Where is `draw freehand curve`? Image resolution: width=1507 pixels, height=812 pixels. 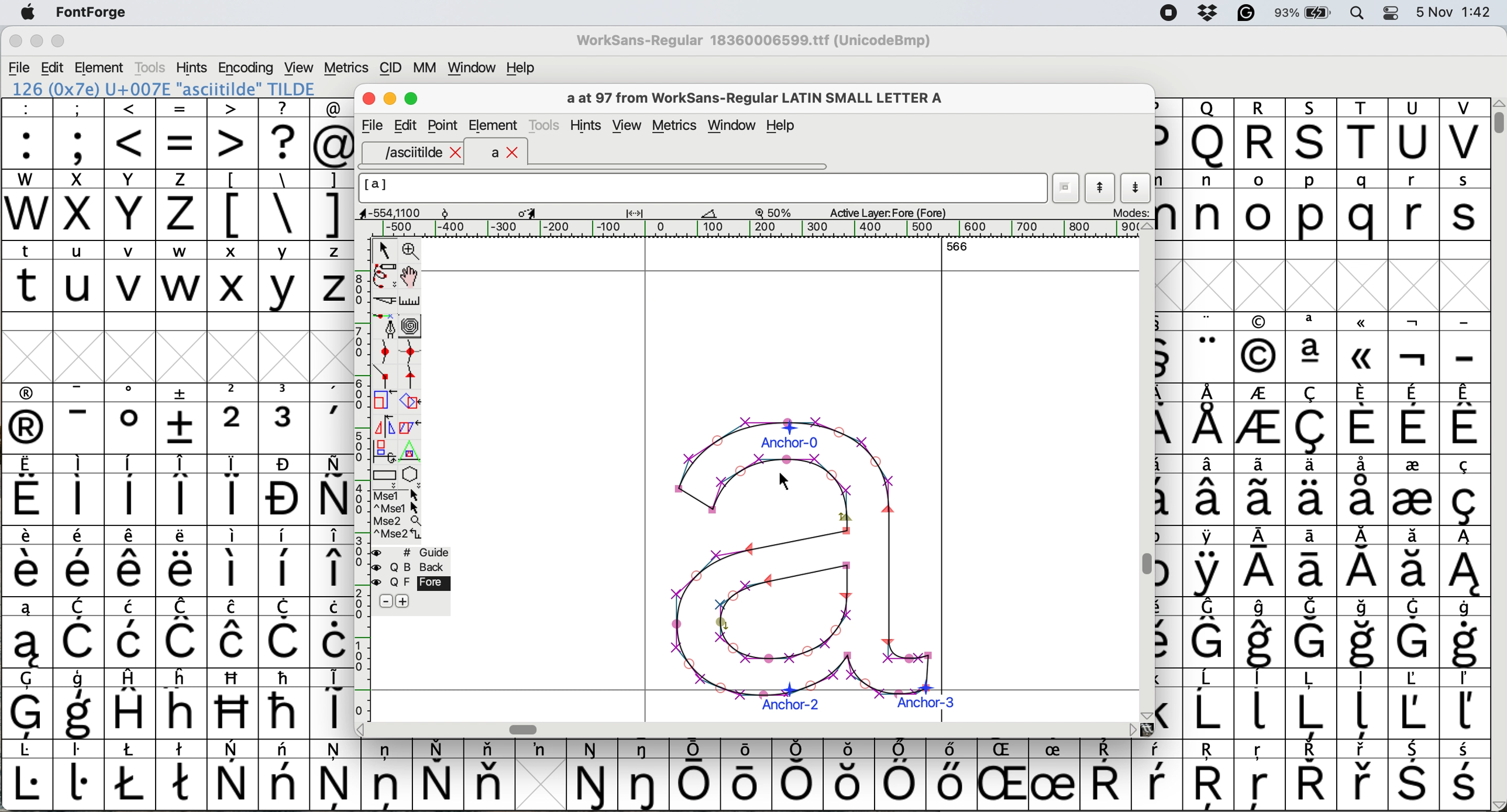
draw freehand curve is located at coordinates (384, 276).